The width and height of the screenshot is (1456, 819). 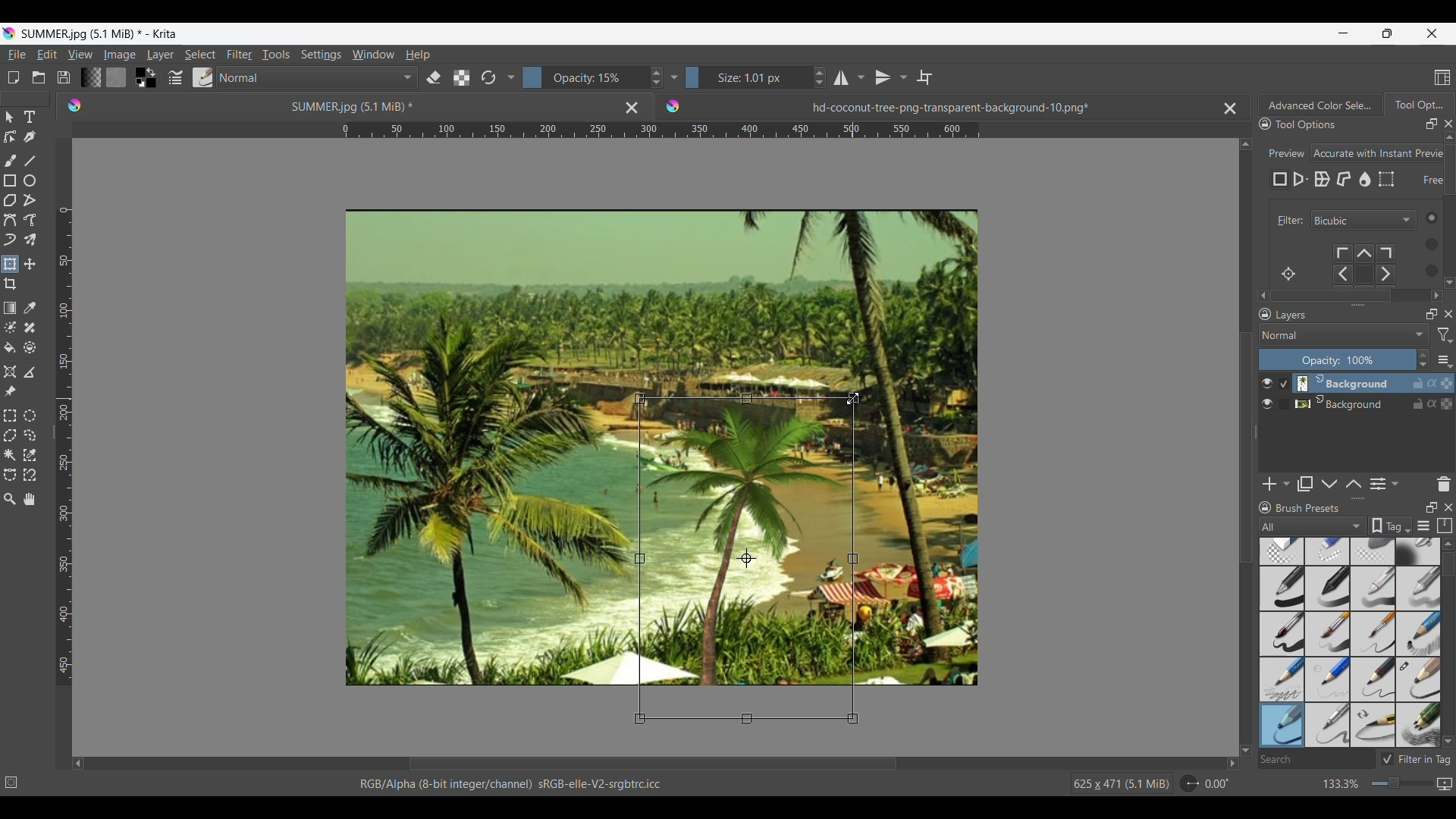 I want to click on Lock Layers, so click(x=1265, y=314).